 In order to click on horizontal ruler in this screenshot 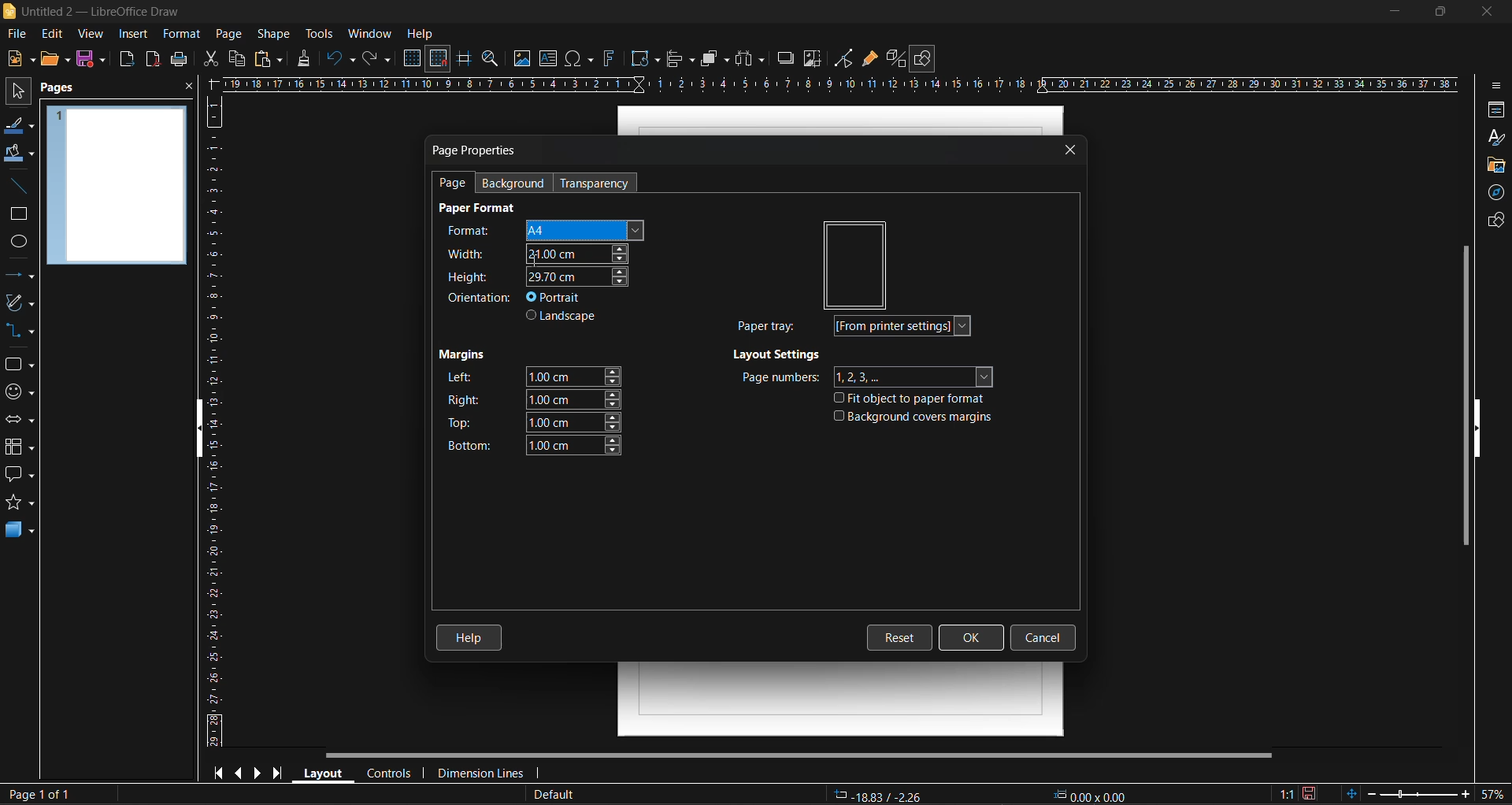, I will do `click(845, 83)`.